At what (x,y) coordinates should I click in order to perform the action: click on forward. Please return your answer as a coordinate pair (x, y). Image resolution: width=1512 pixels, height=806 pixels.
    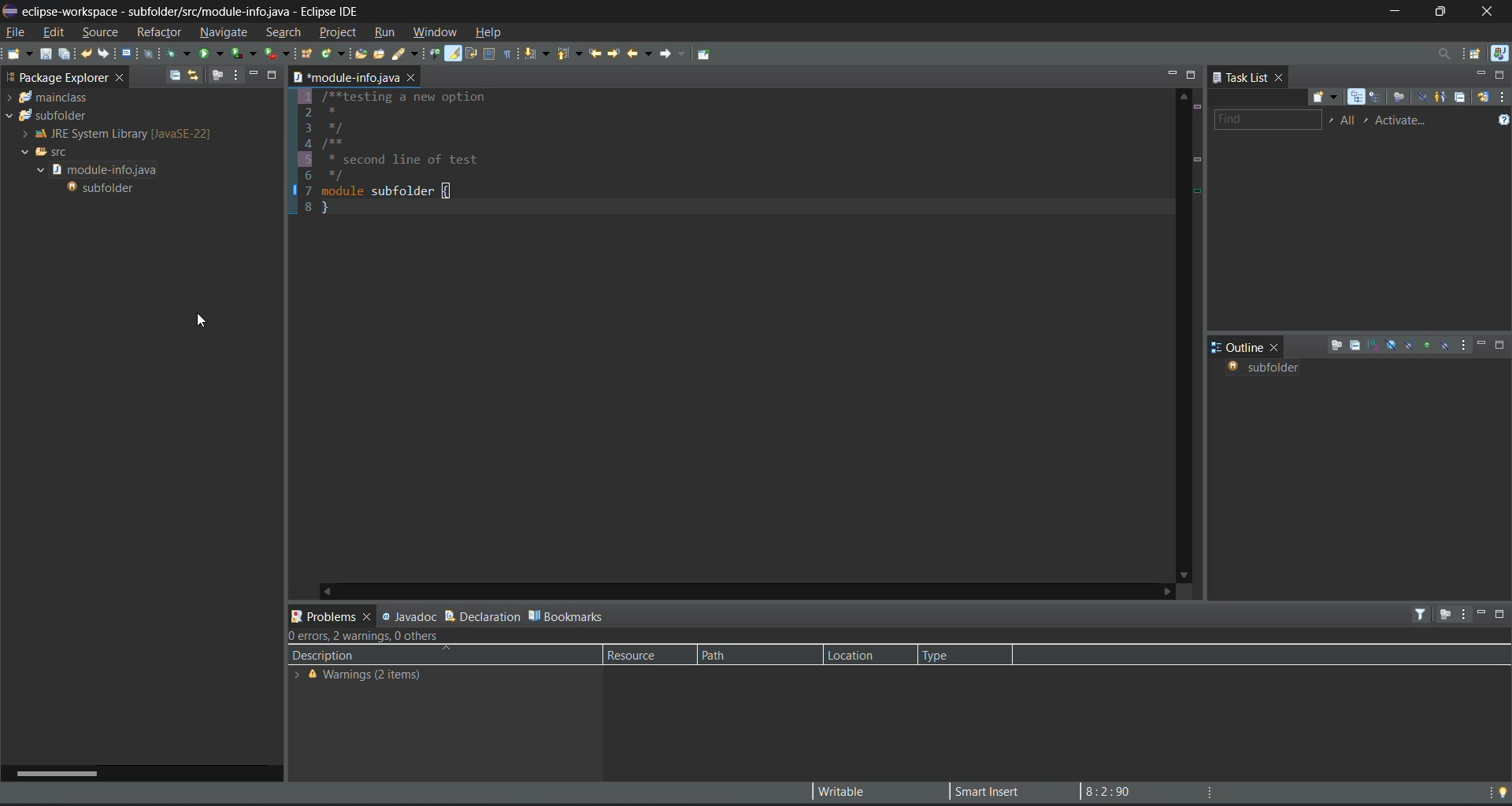
    Looking at the image, I should click on (669, 54).